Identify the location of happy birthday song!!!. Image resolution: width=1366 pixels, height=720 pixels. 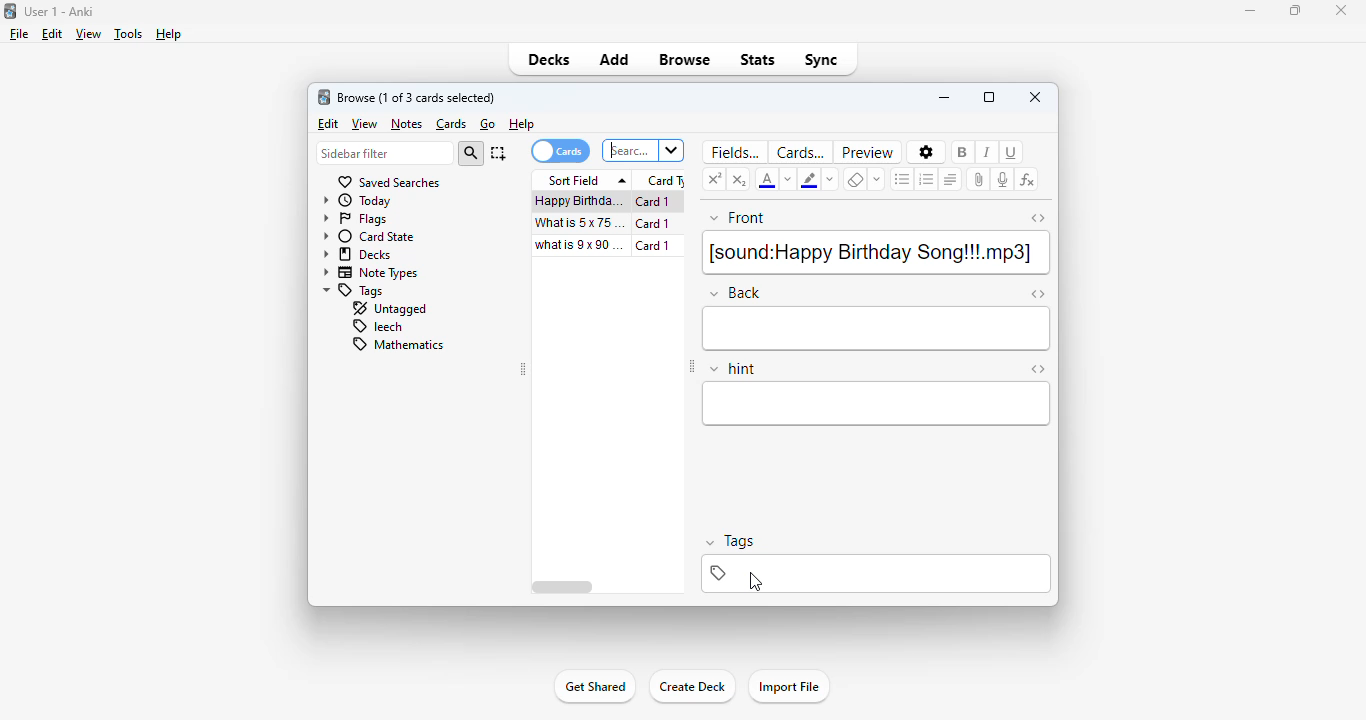
(579, 201).